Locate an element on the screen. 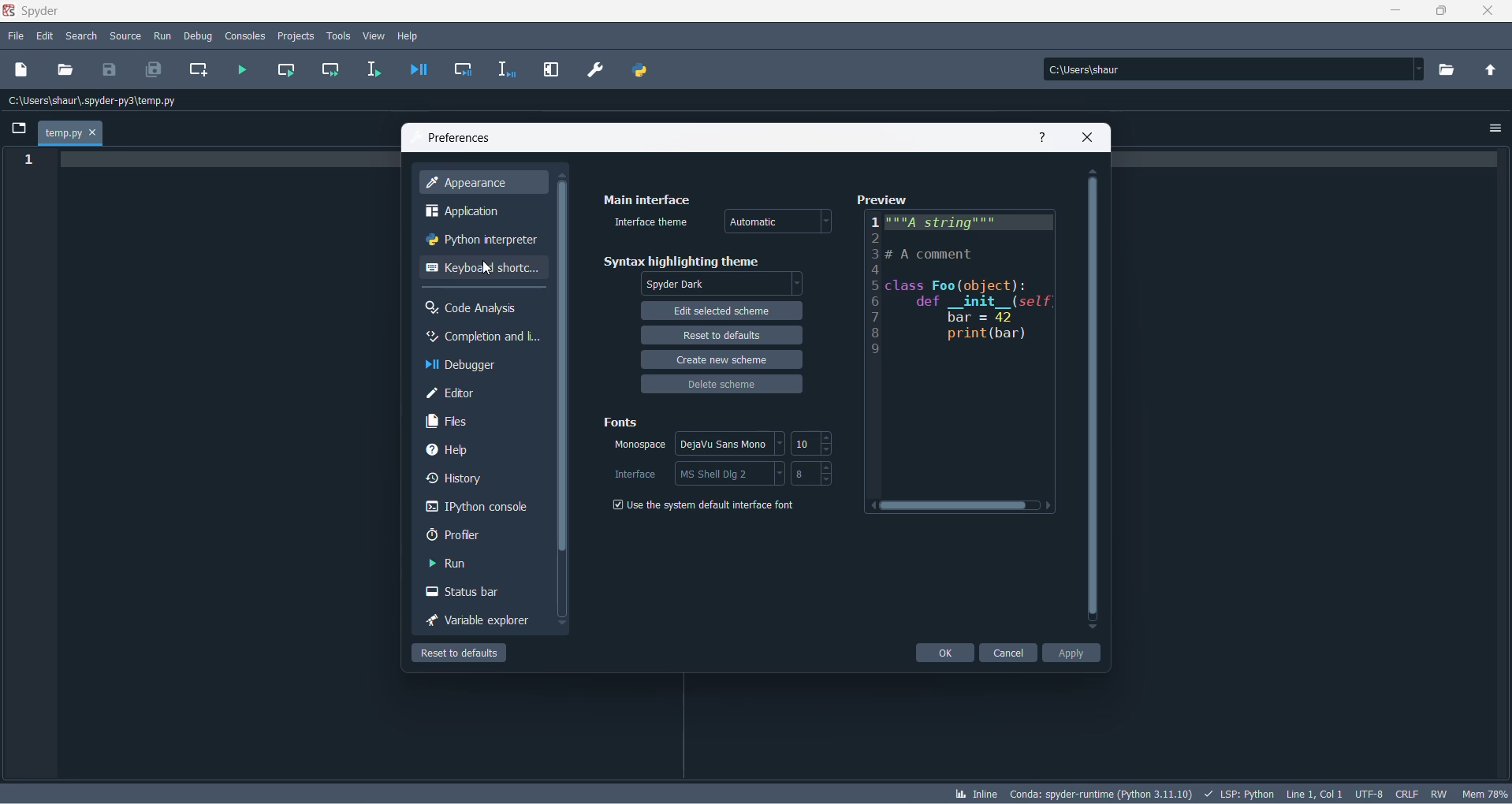 The width and height of the screenshot is (1512, 804). variable exploreer is located at coordinates (478, 623).